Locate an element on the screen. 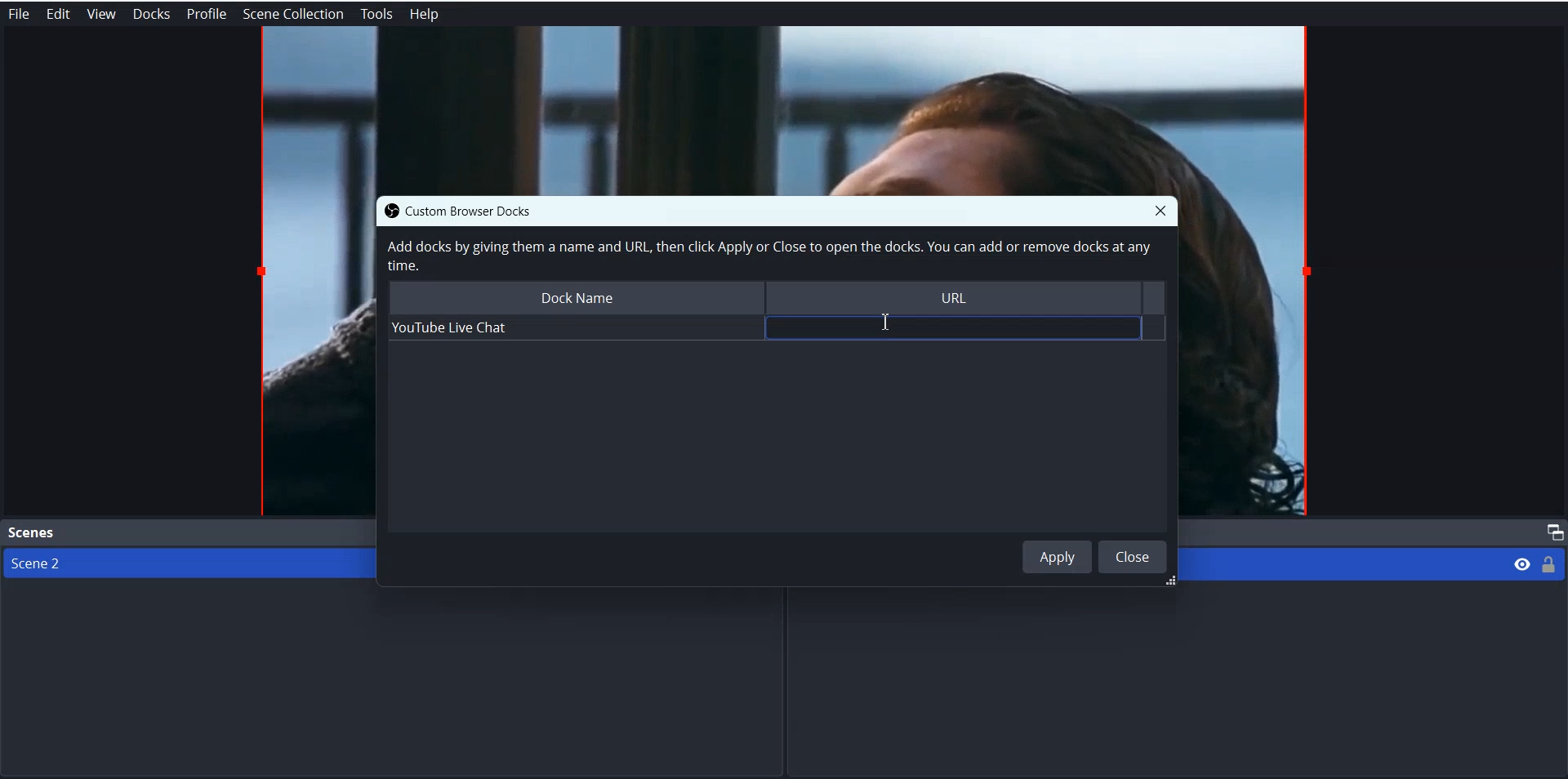 The width and height of the screenshot is (1568, 779). Eye is located at coordinates (1522, 563).